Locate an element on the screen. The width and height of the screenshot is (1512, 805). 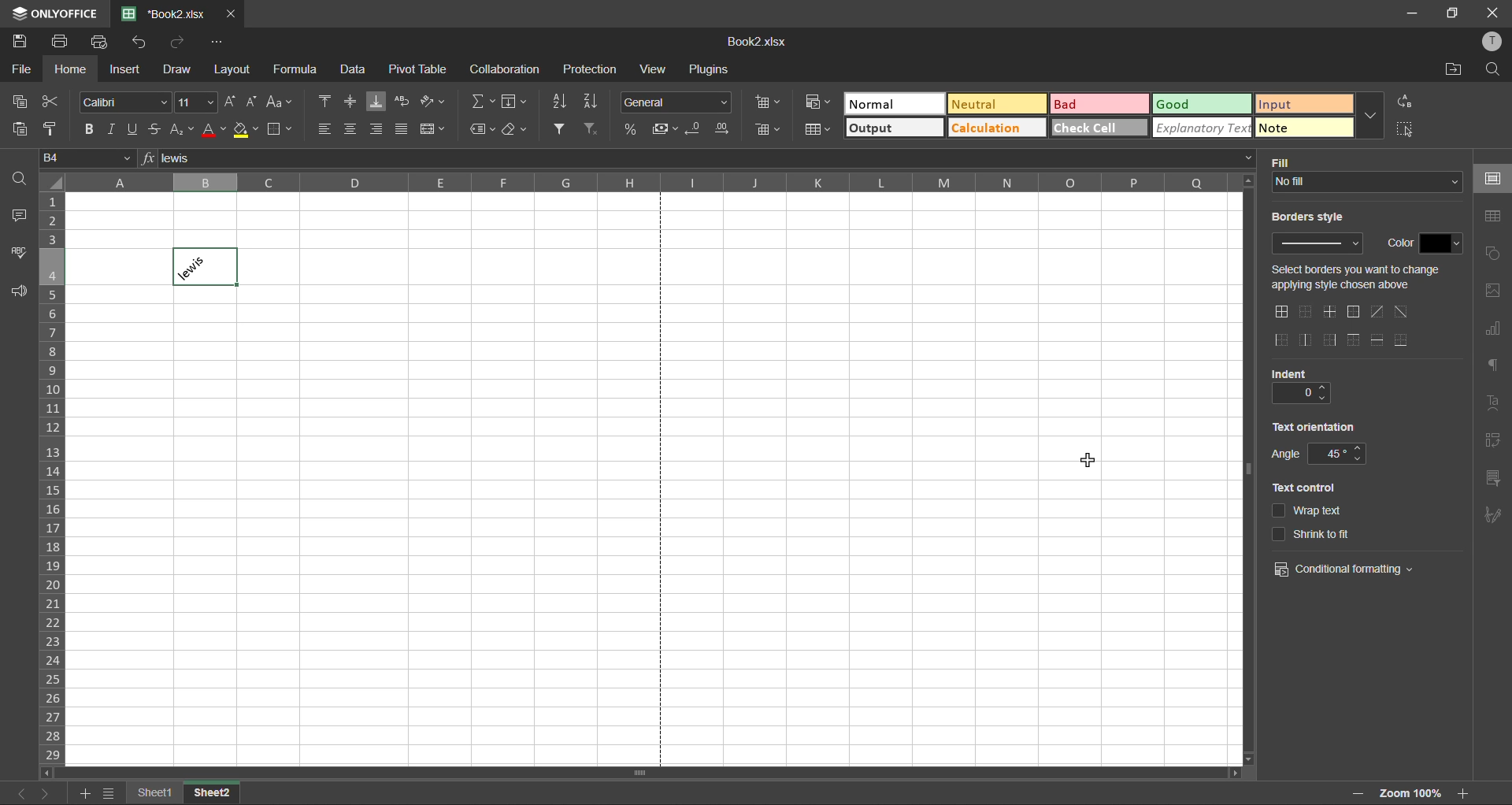
table is located at coordinates (1493, 218).